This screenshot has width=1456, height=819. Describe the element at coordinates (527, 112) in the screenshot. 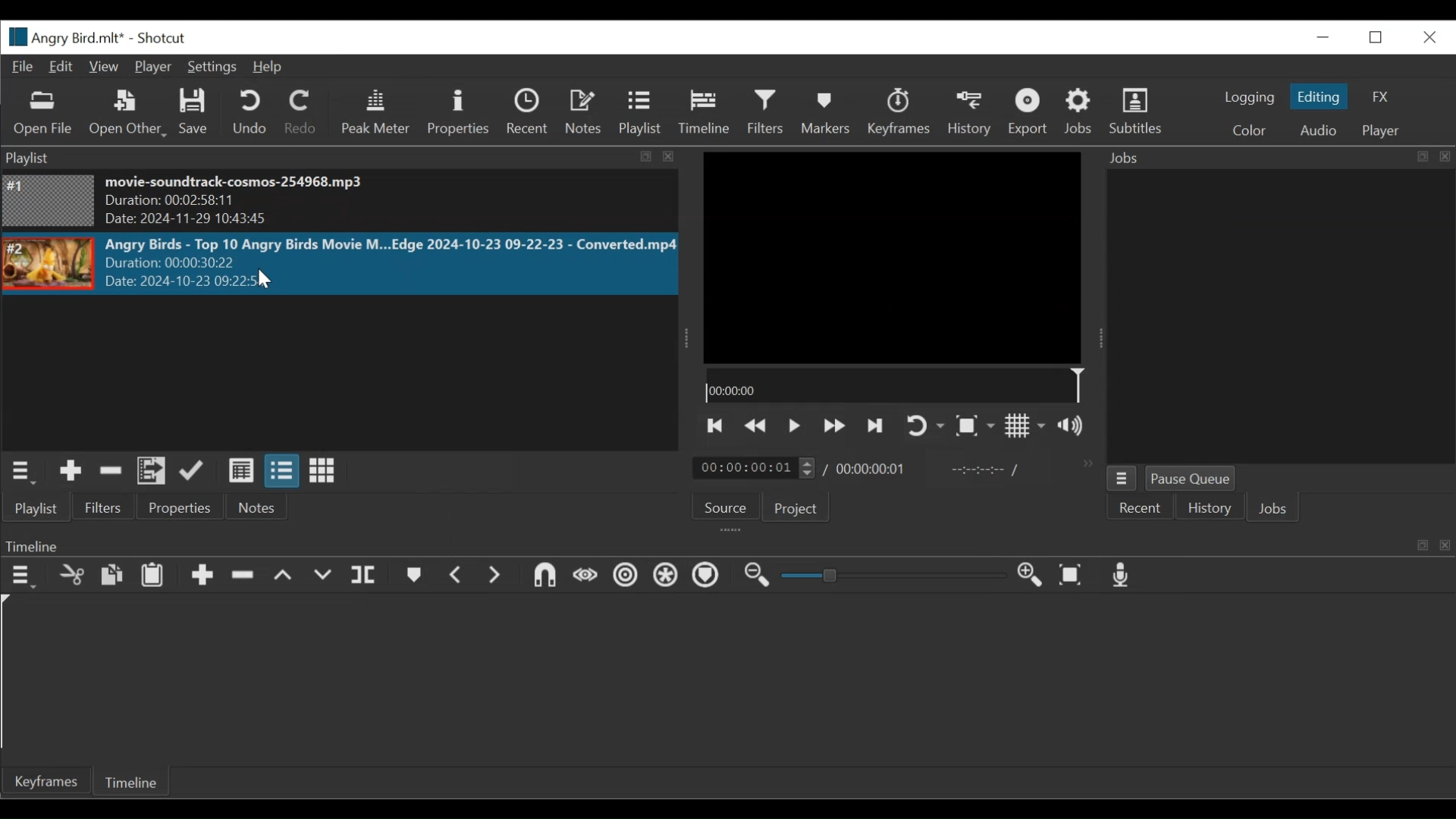

I see `Recent` at that location.